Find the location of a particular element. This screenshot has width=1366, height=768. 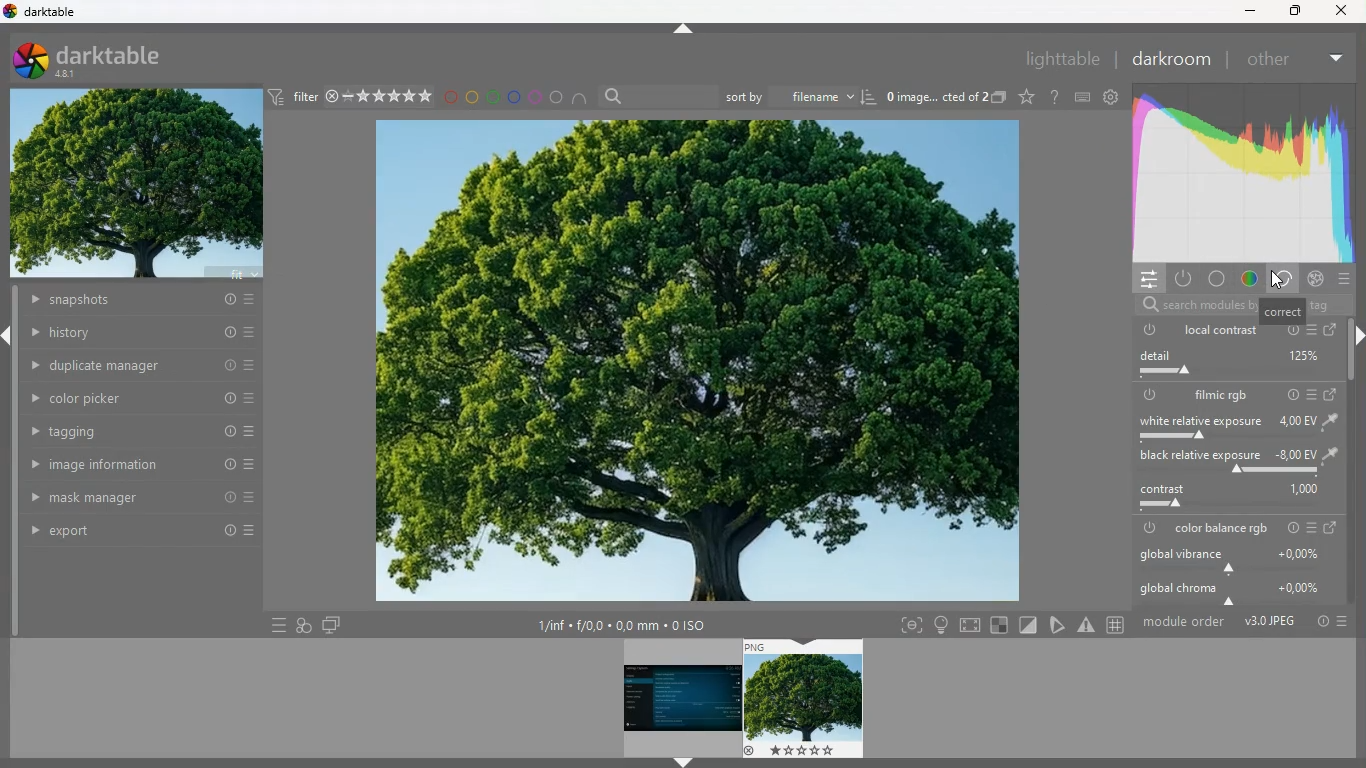

global vibrance is located at coordinates (1237, 560).